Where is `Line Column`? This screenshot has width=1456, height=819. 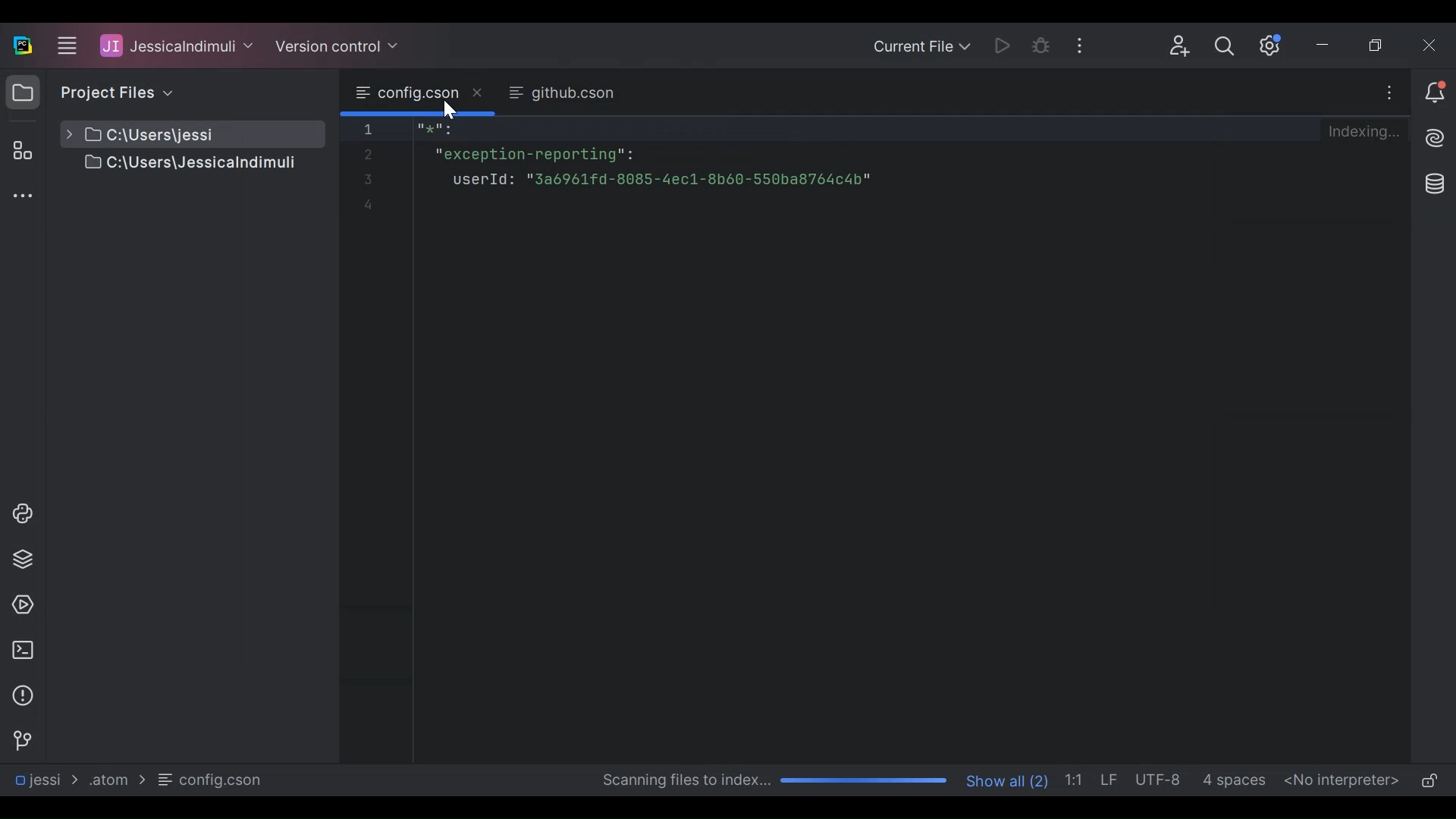
Line Column is located at coordinates (1077, 779).